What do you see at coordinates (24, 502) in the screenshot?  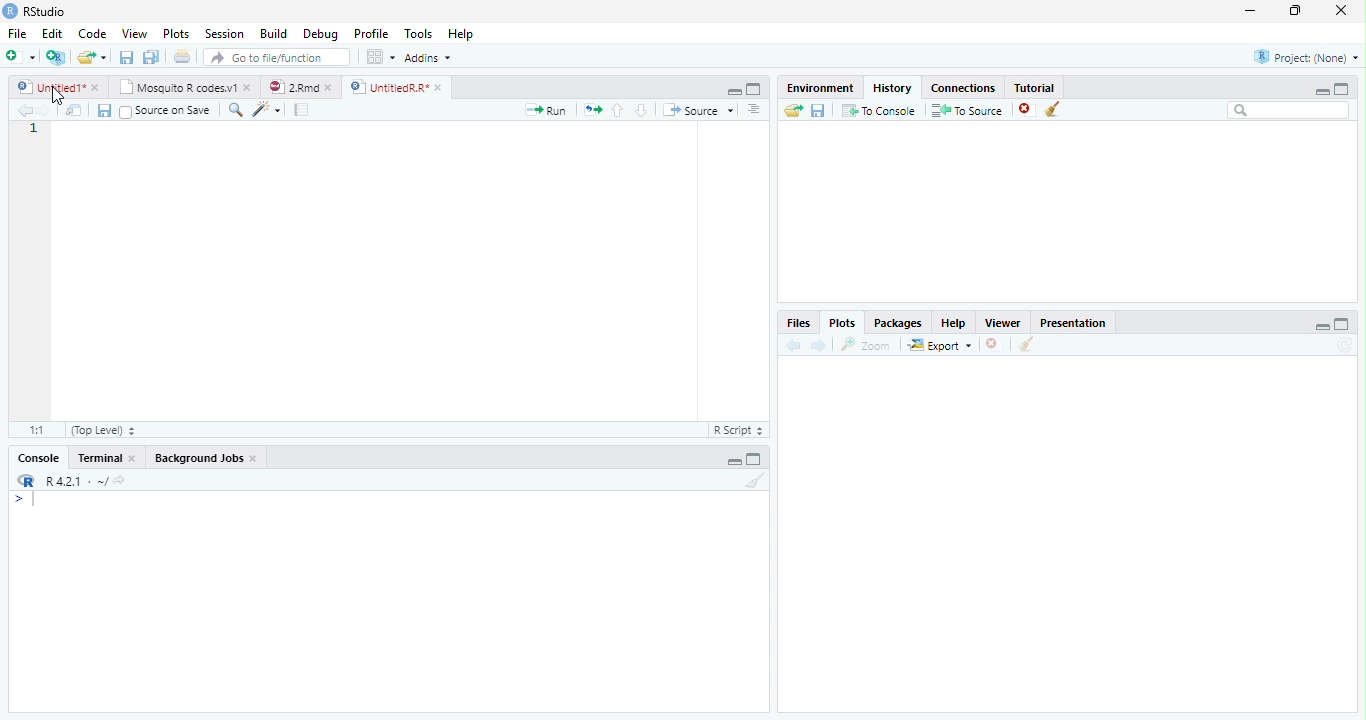 I see `New line` at bounding box center [24, 502].